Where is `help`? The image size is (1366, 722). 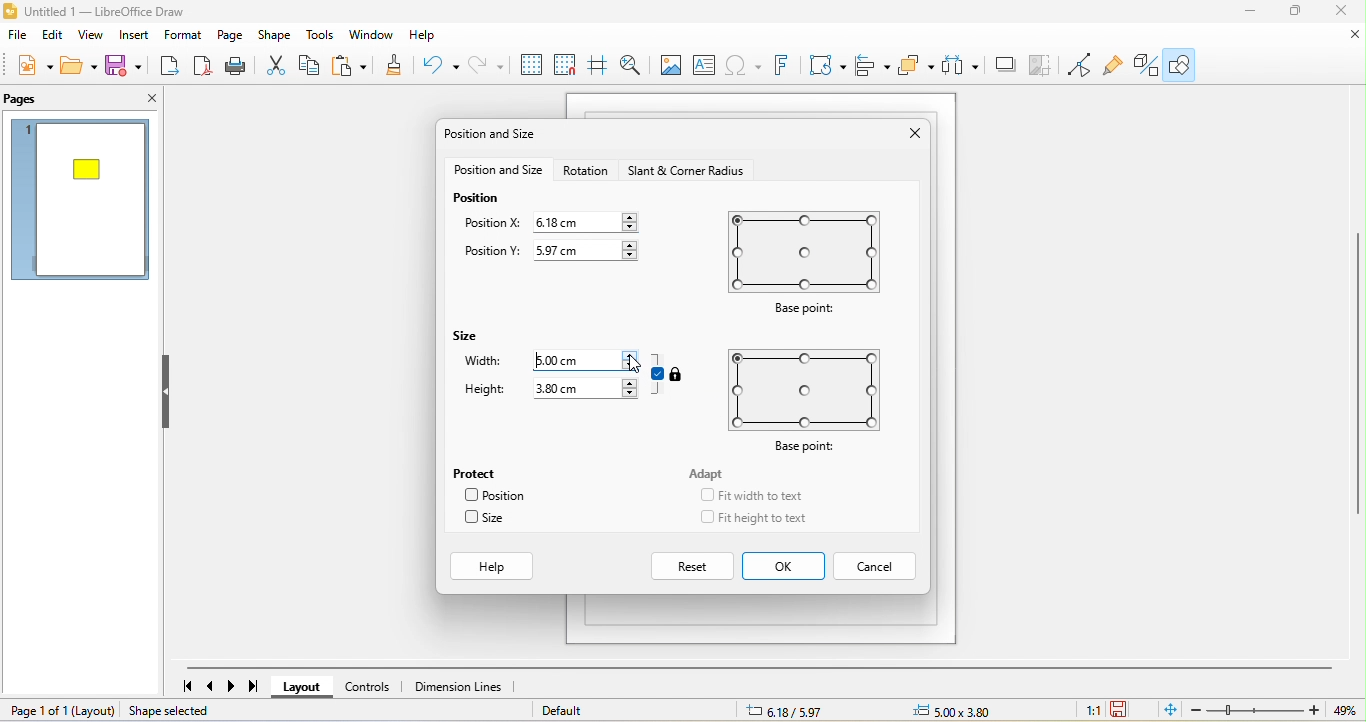 help is located at coordinates (432, 36).